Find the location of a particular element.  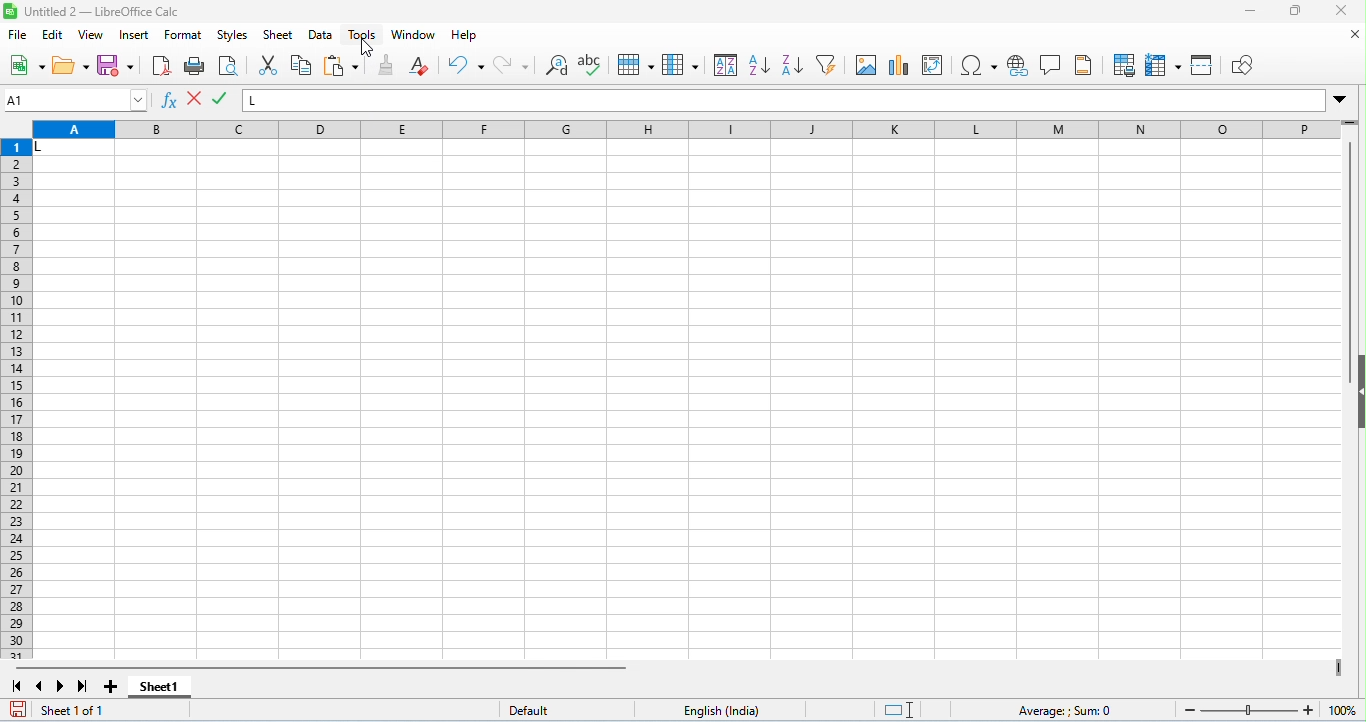

header and footer is located at coordinates (1083, 65).